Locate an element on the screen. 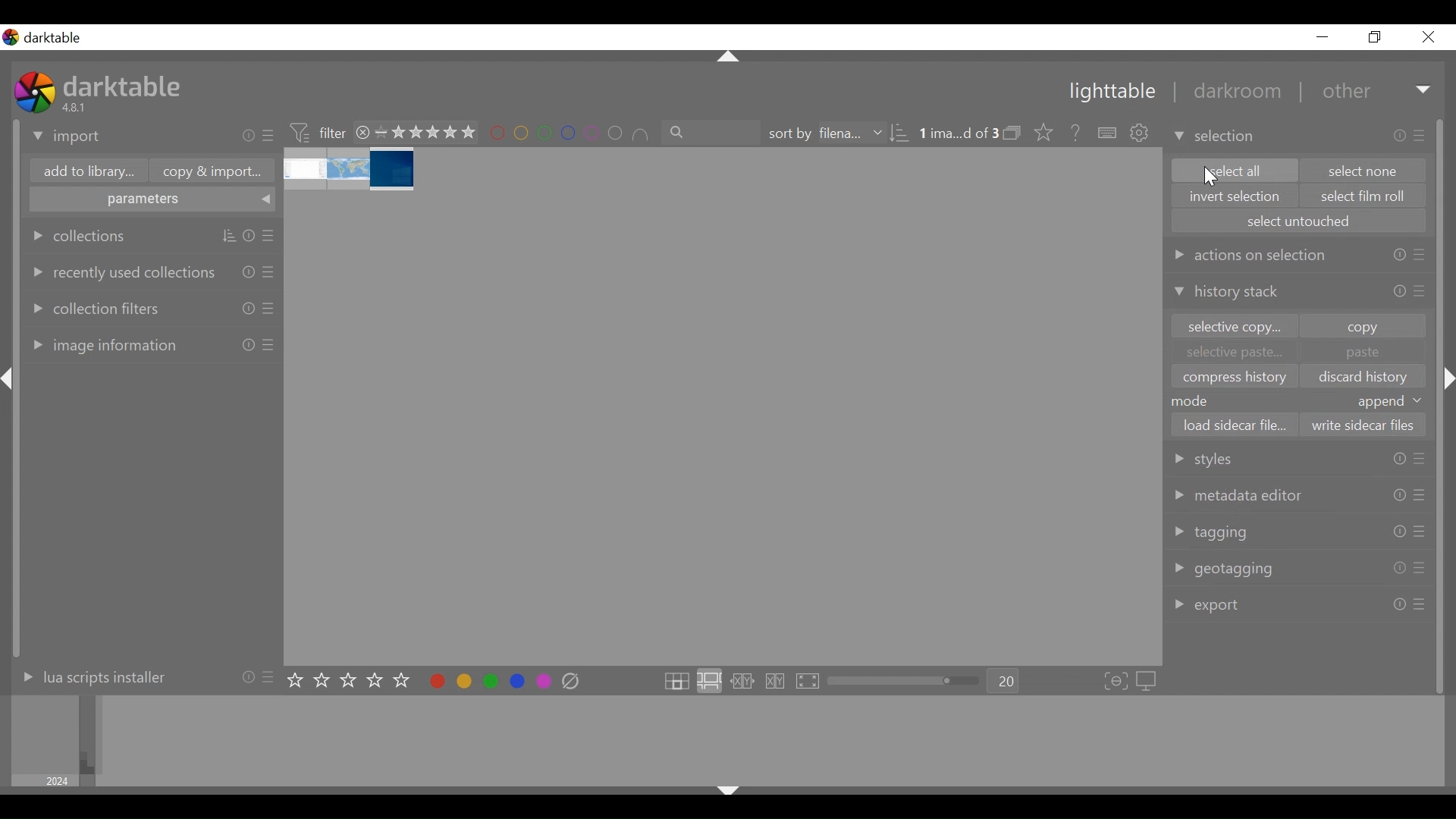 The width and height of the screenshot is (1456, 819). invert selection is located at coordinates (1235, 196).